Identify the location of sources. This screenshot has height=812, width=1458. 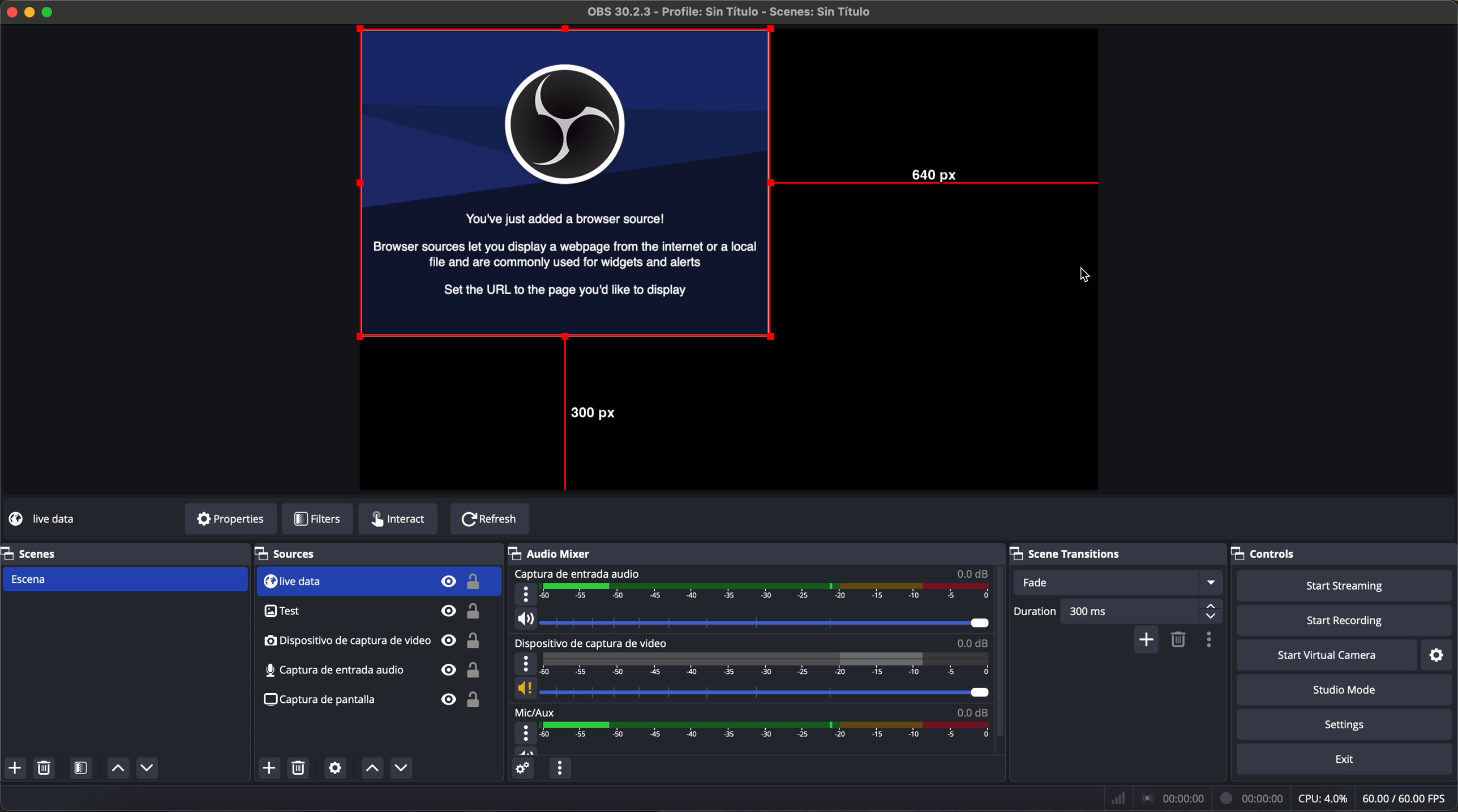
(294, 553).